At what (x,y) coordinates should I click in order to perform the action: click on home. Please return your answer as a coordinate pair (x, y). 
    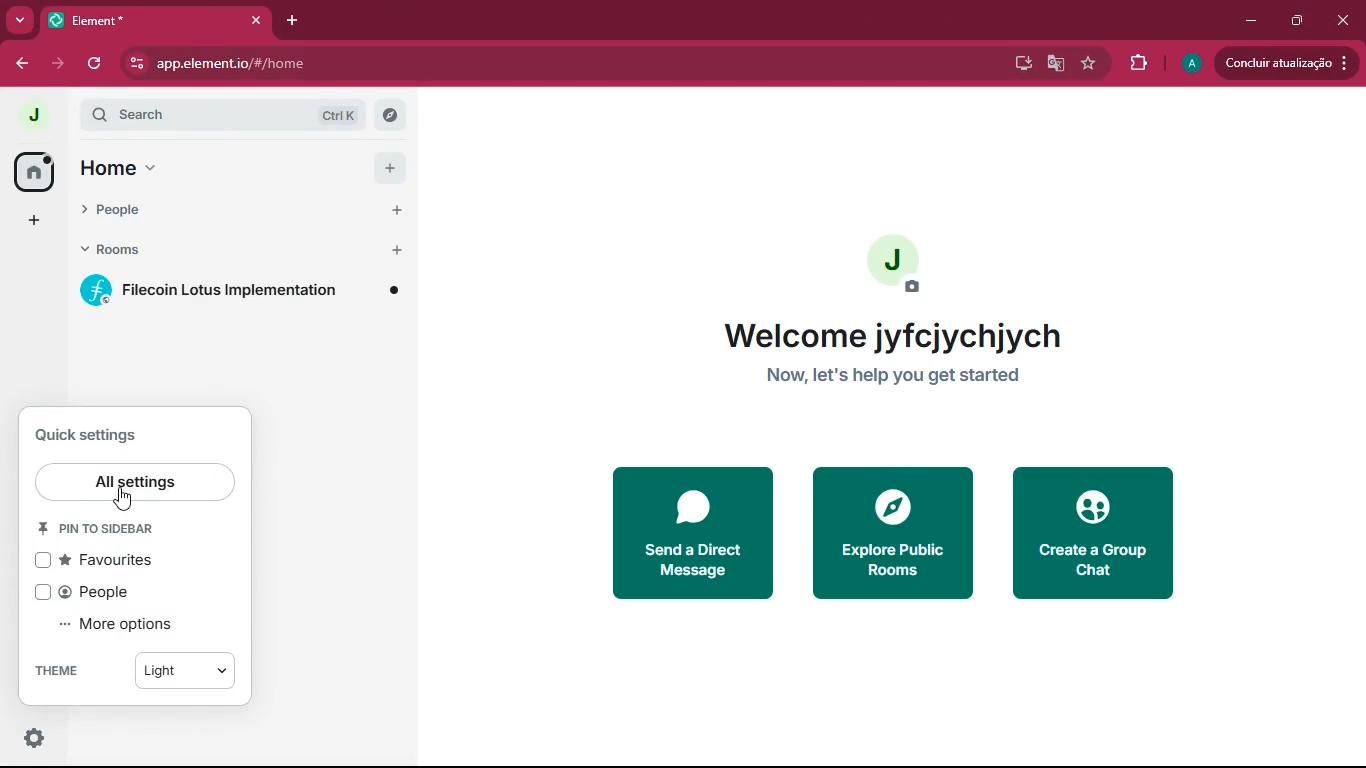
    Looking at the image, I should click on (34, 171).